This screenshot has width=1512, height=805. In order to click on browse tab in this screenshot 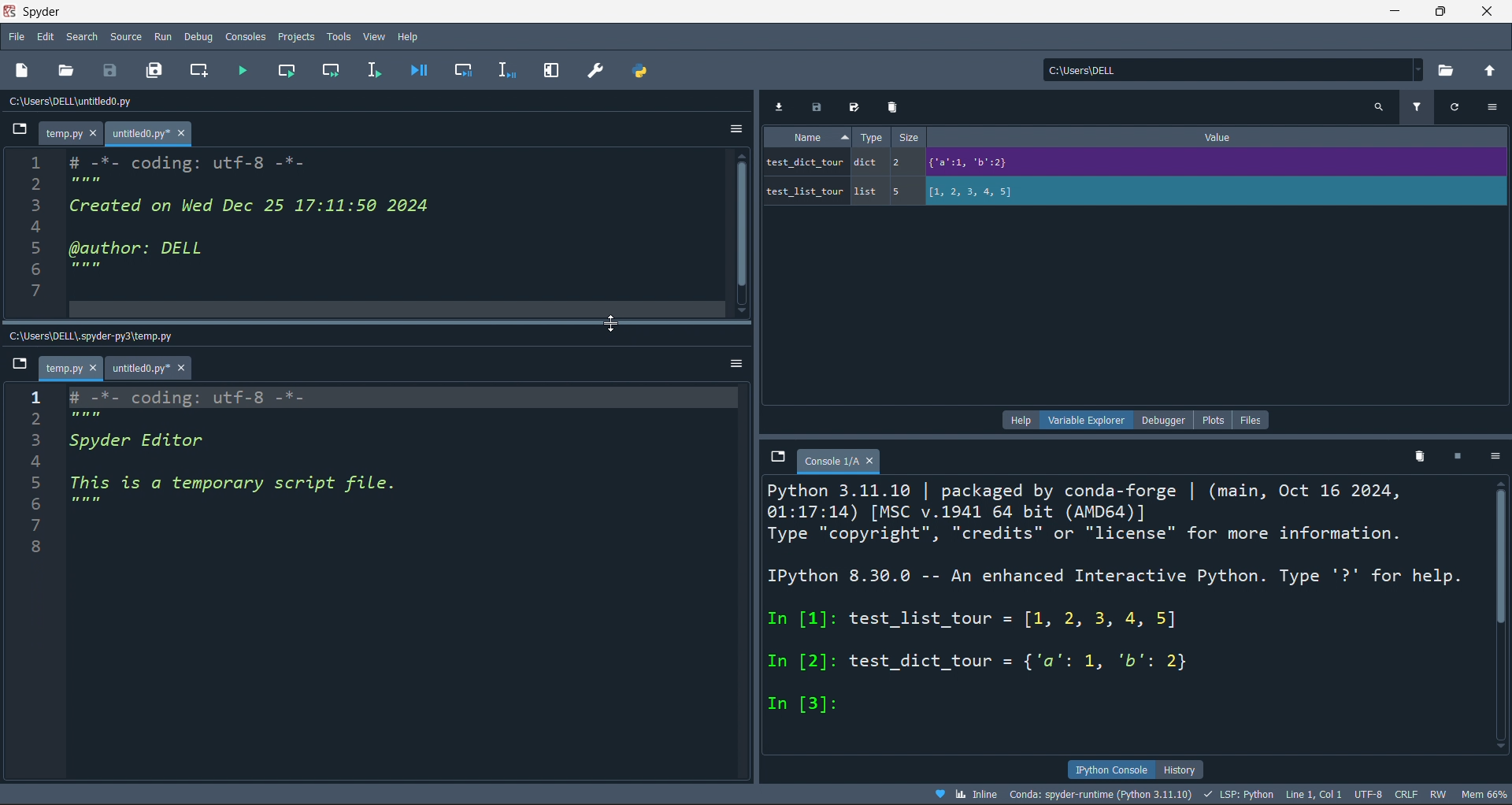, I will do `click(20, 365)`.